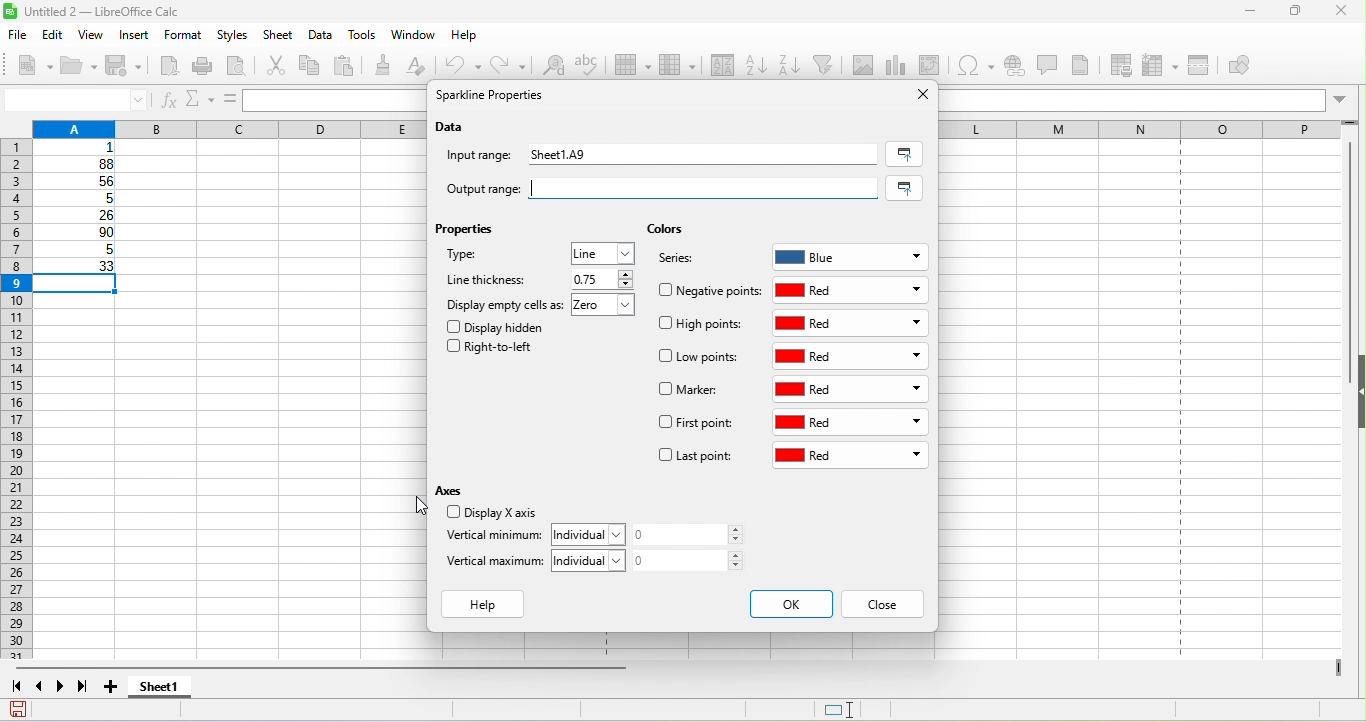 This screenshot has height=722, width=1366. What do you see at coordinates (65, 689) in the screenshot?
I see `scroll to next sheet` at bounding box center [65, 689].